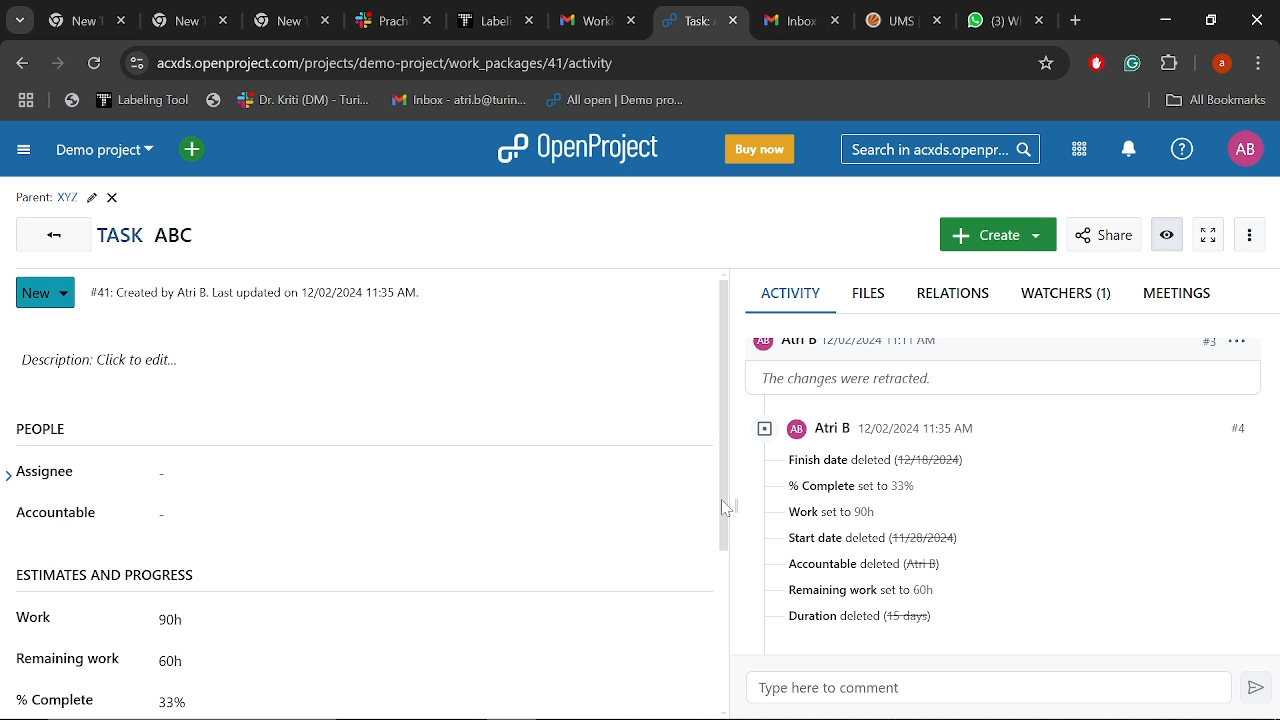  What do you see at coordinates (28, 100) in the screenshot?
I see `Tab groups` at bounding box center [28, 100].